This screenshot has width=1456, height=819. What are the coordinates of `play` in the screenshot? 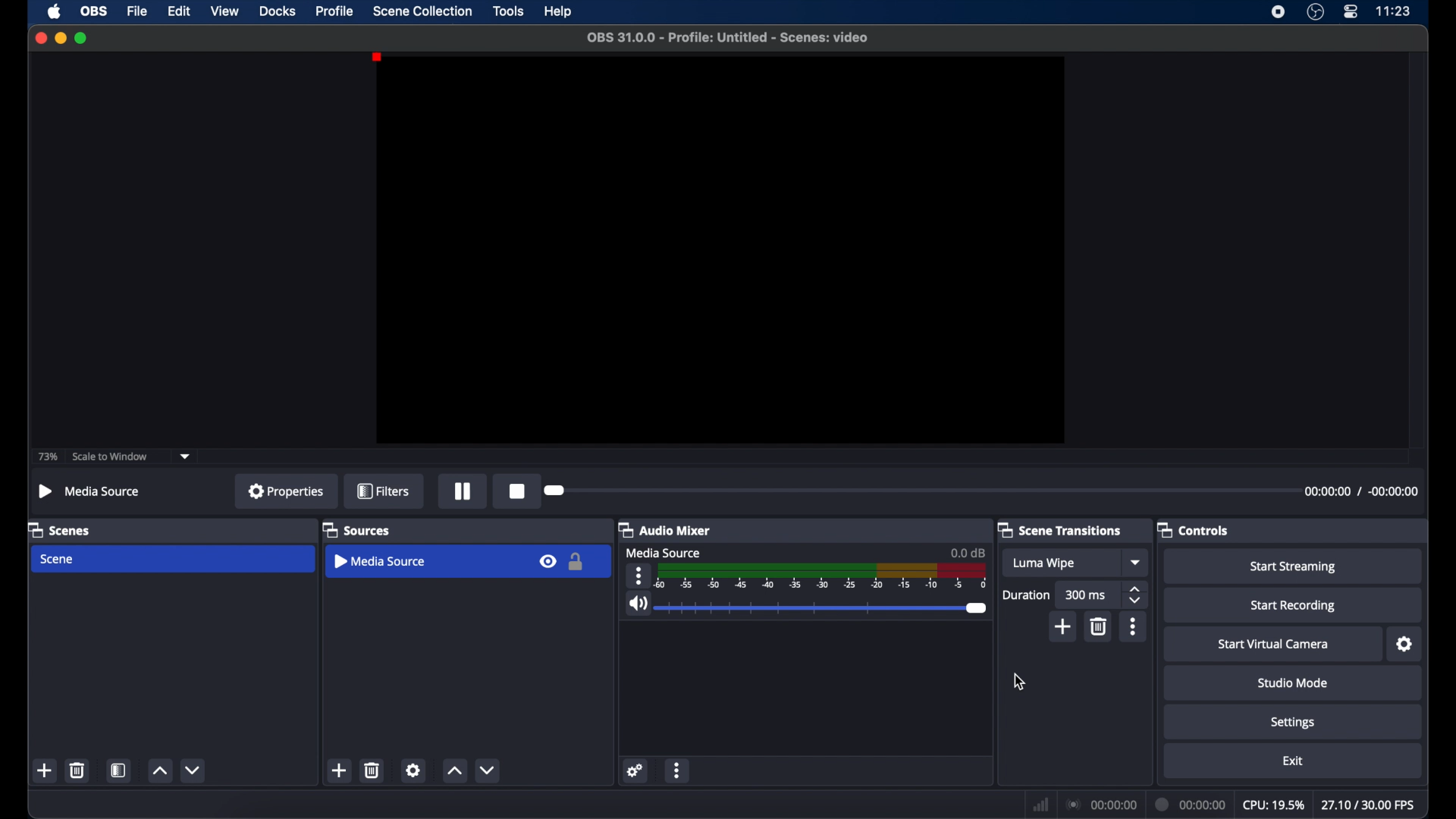 It's located at (463, 491).